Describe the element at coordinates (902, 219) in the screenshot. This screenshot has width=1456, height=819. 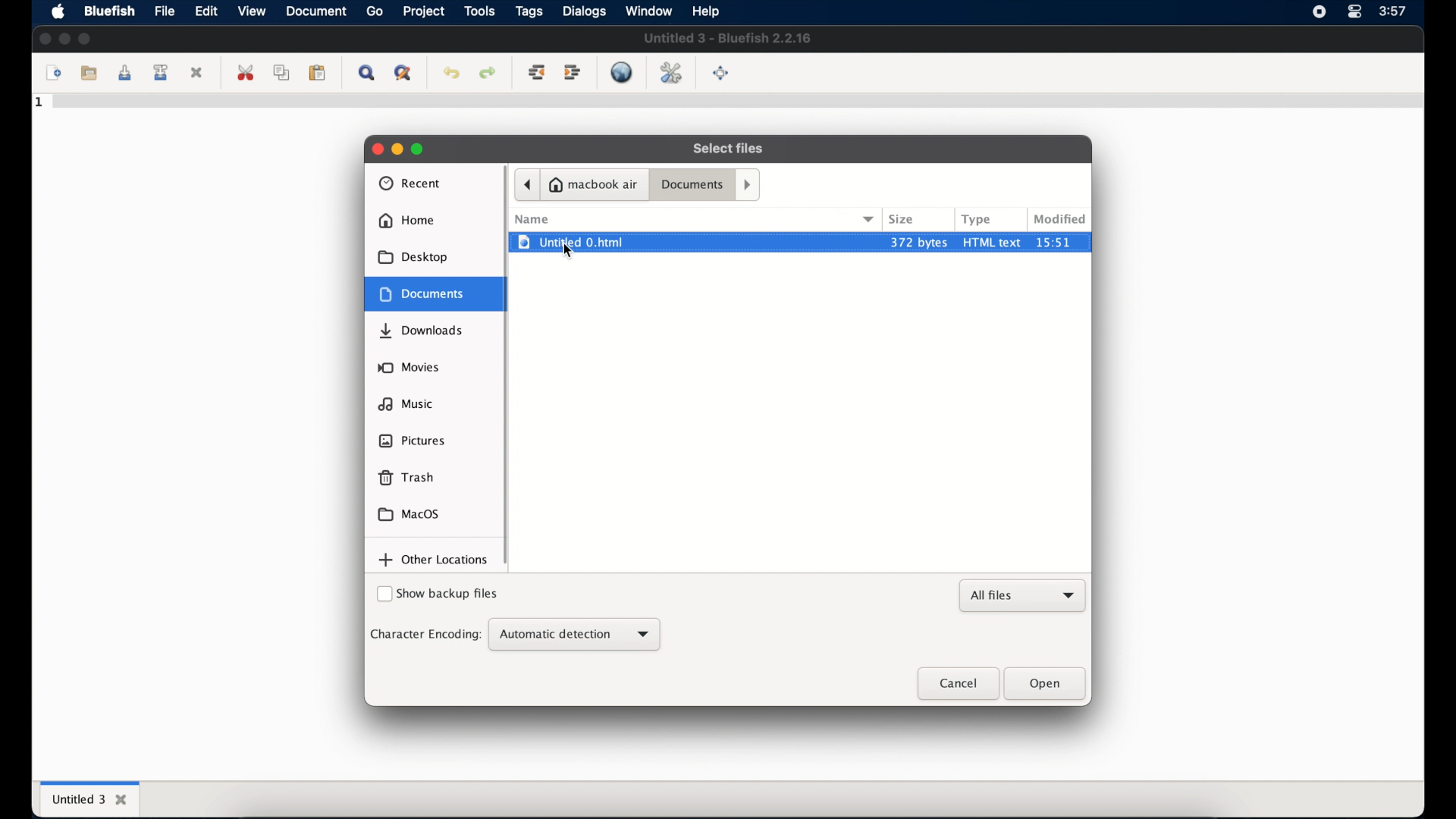
I see `size` at that location.